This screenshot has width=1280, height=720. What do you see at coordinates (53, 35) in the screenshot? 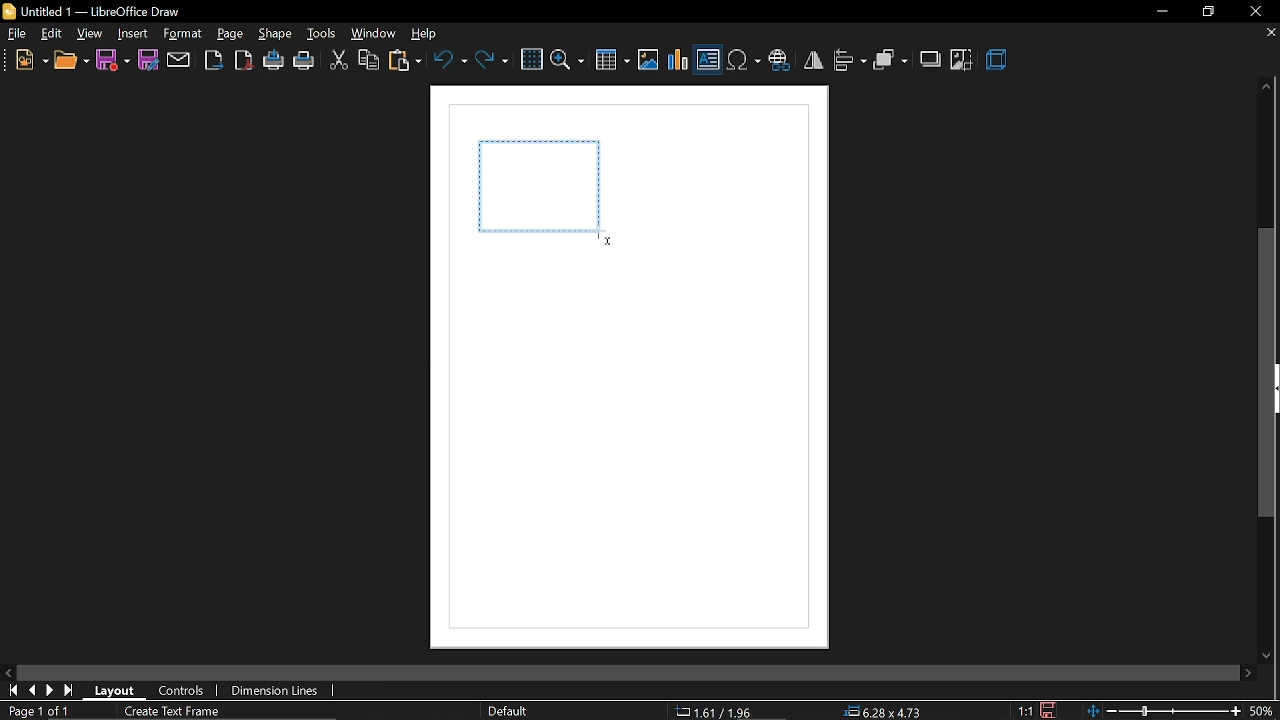
I see `edit` at bounding box center [53, 35].